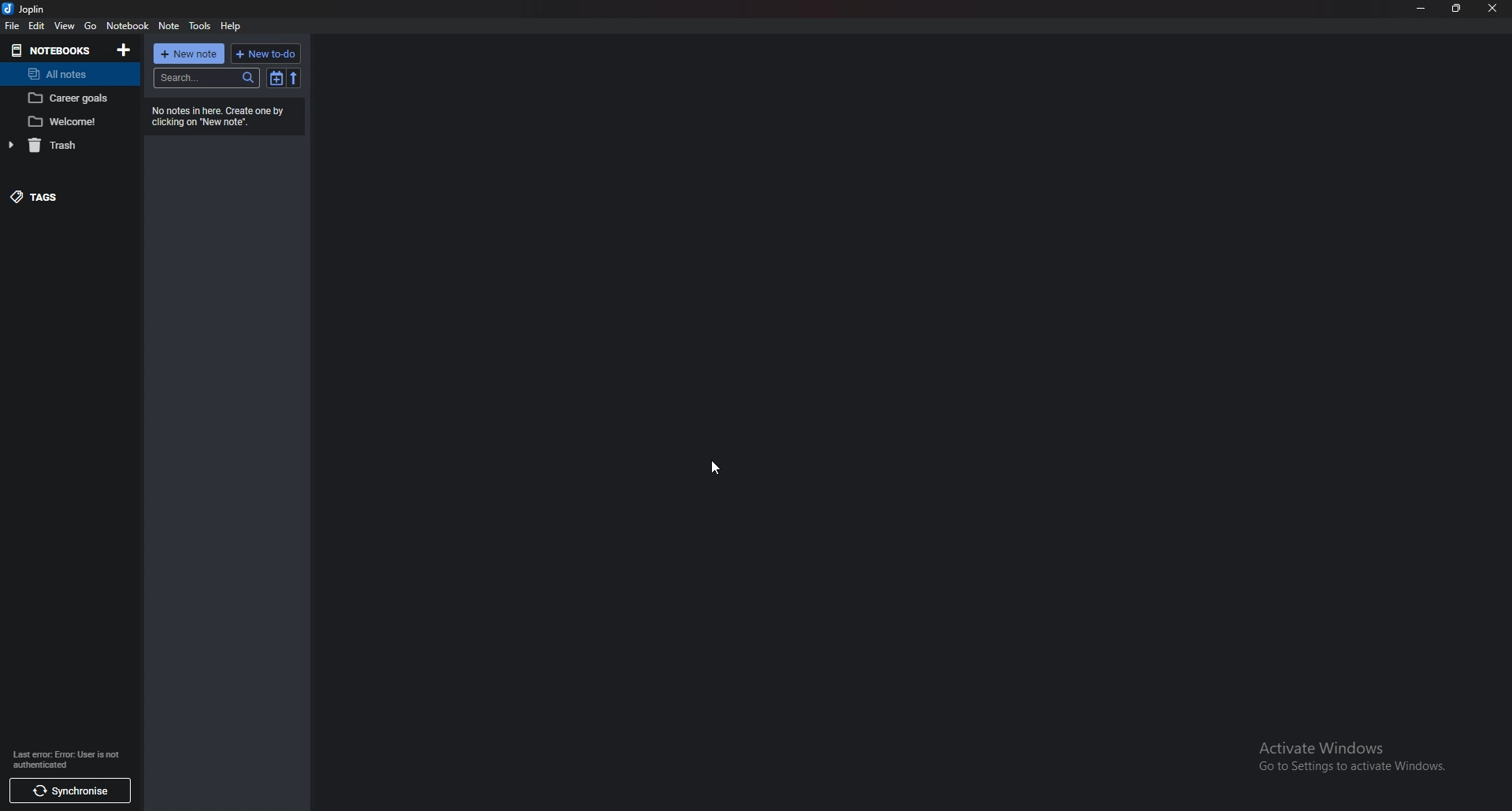 The image size is (1512, 811). Describe the element at coordinates (69, 74) in the screenshot. I see `All notes` at that location.